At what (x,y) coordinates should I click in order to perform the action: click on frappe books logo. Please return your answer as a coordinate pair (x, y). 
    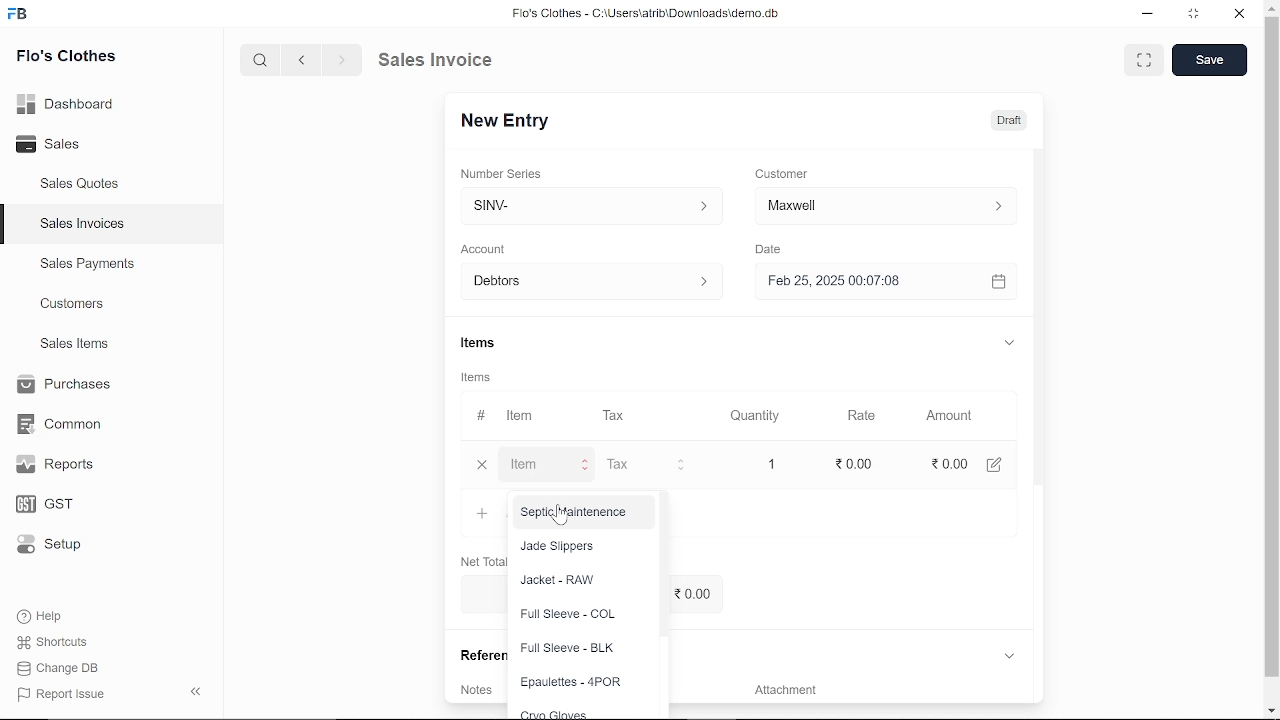
    Looking at the image, I should click on (20, 17).